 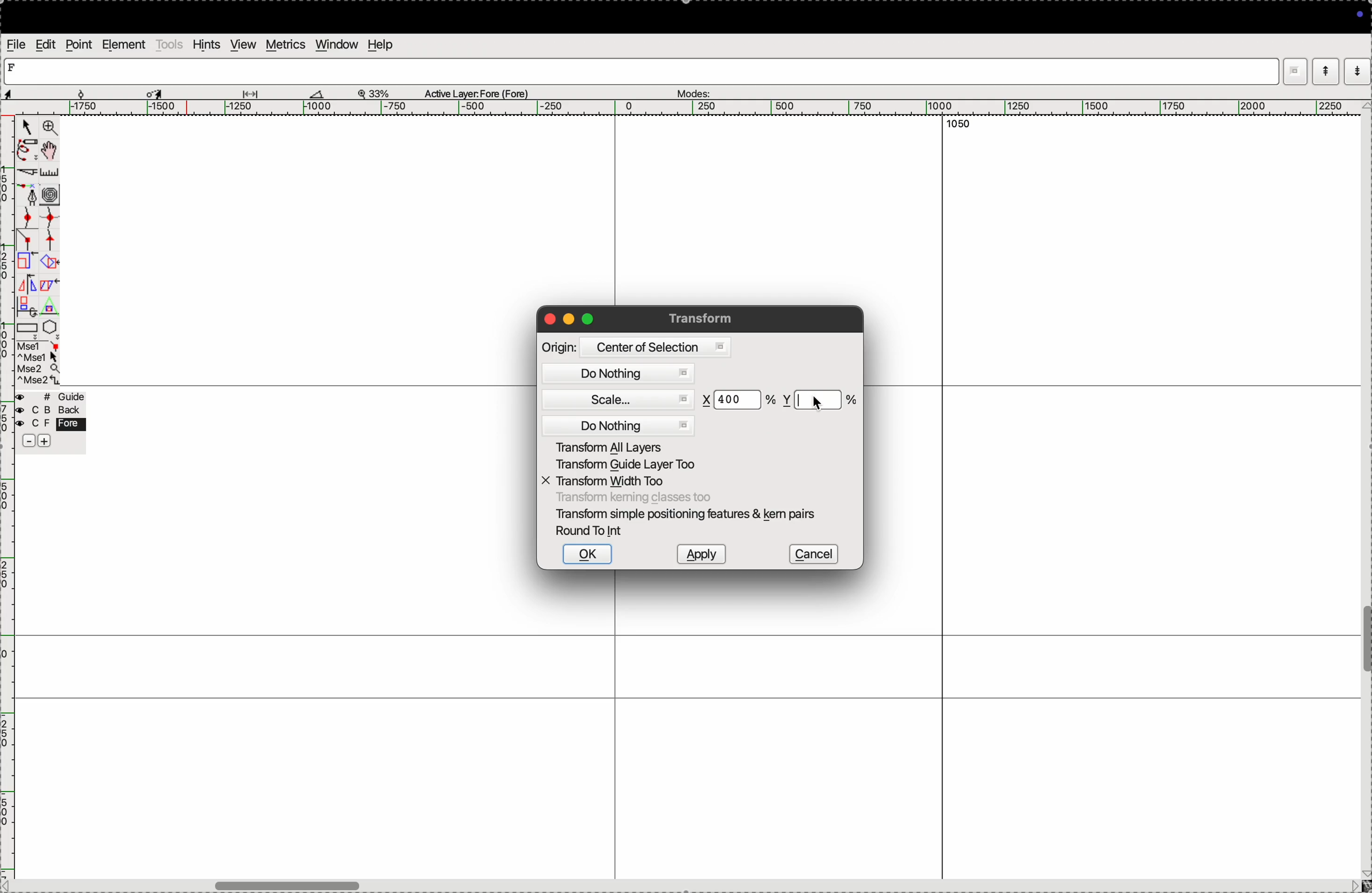 What do you see at coordinates (700, 554) in the screenshot?
I see `apply` at bounding box center [700, 554].